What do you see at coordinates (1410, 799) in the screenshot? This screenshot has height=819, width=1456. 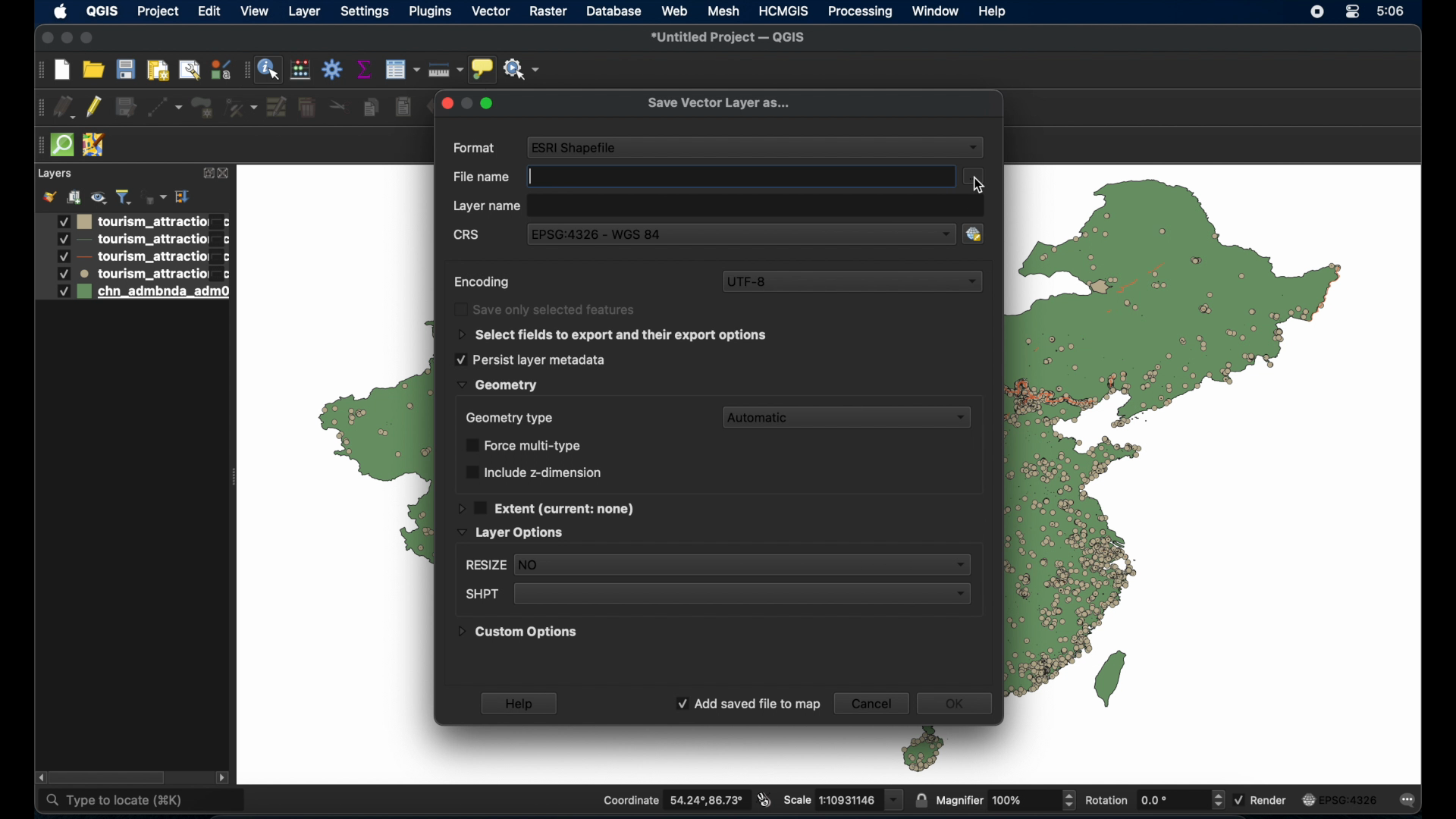 I see `messages` at bounding box center [1410, 799].